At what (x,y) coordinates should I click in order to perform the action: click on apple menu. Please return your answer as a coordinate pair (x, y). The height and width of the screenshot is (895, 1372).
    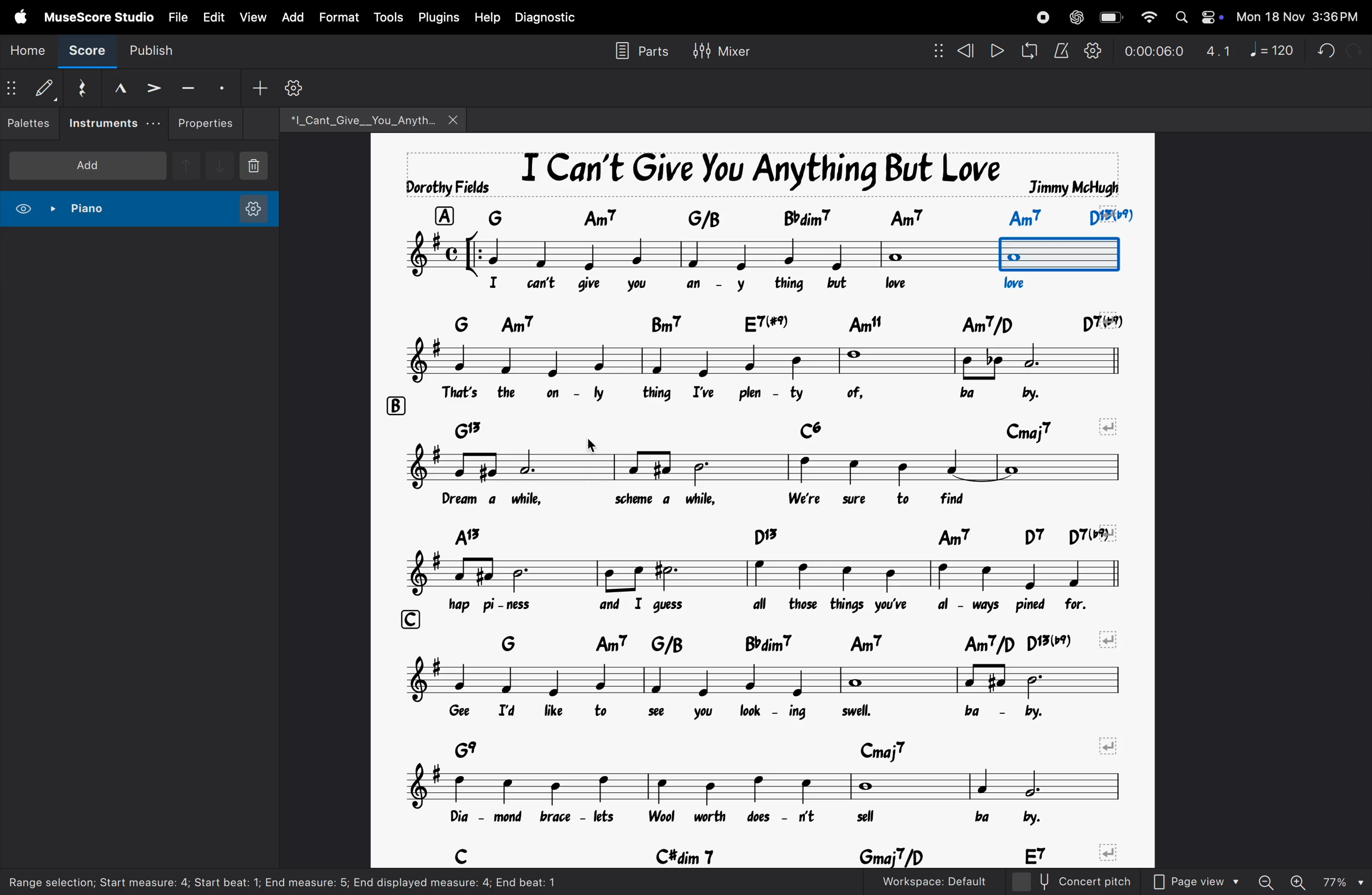
    Looking at the image, I should click on (16, 17).